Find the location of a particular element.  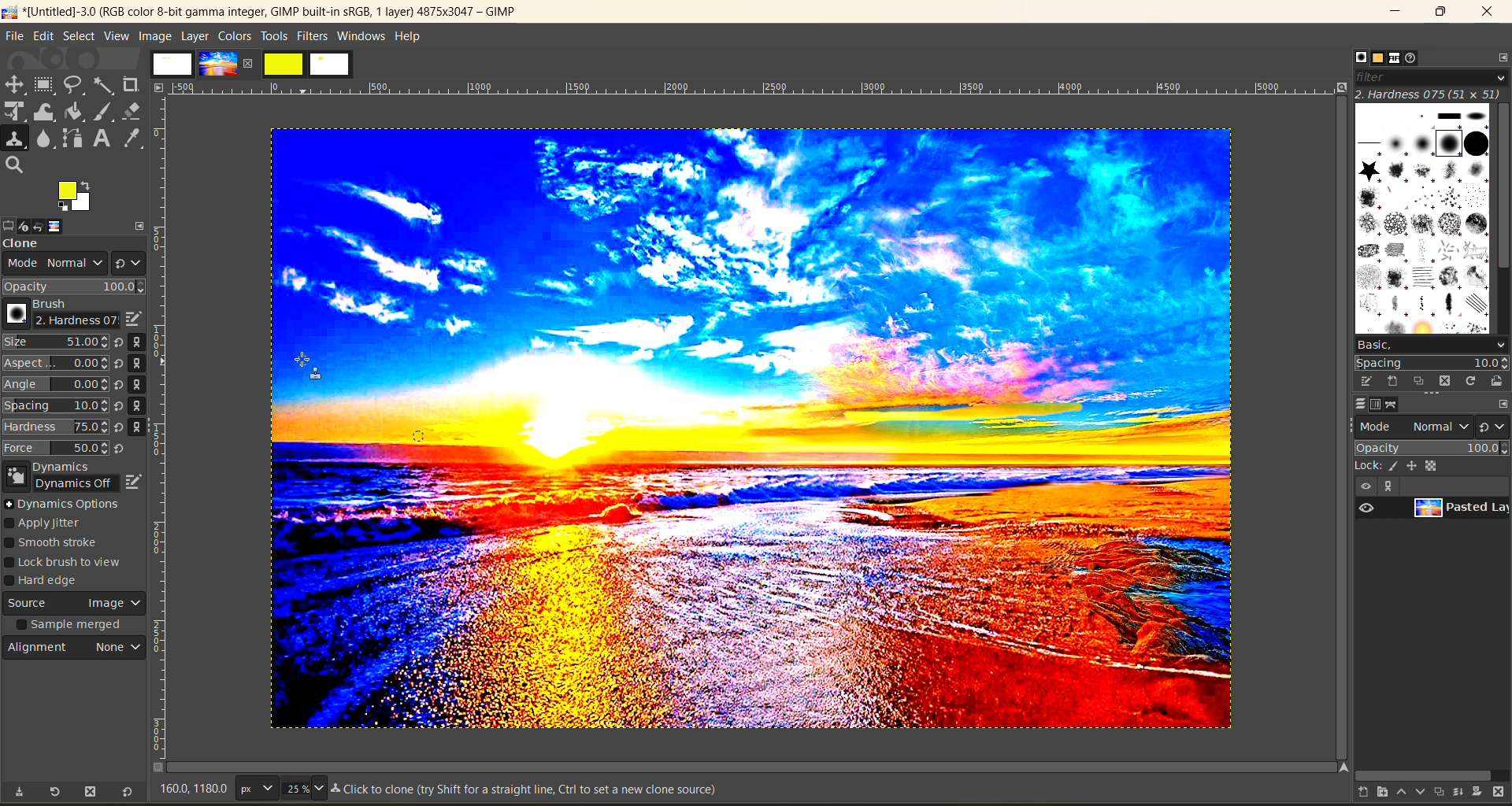

file is located at coordinates (15, 35).